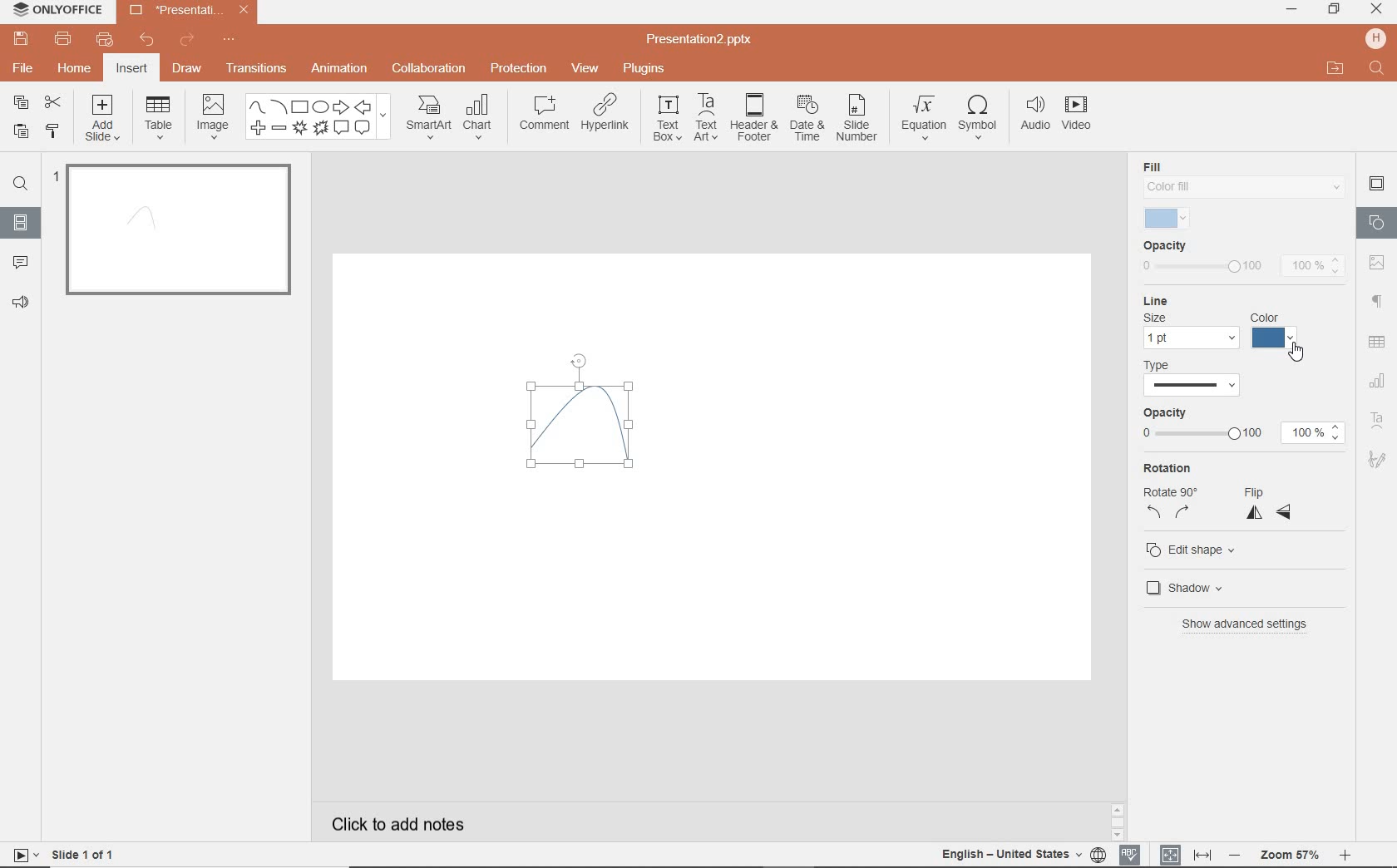  I want to click on ZOOM, so click(1298, 855).